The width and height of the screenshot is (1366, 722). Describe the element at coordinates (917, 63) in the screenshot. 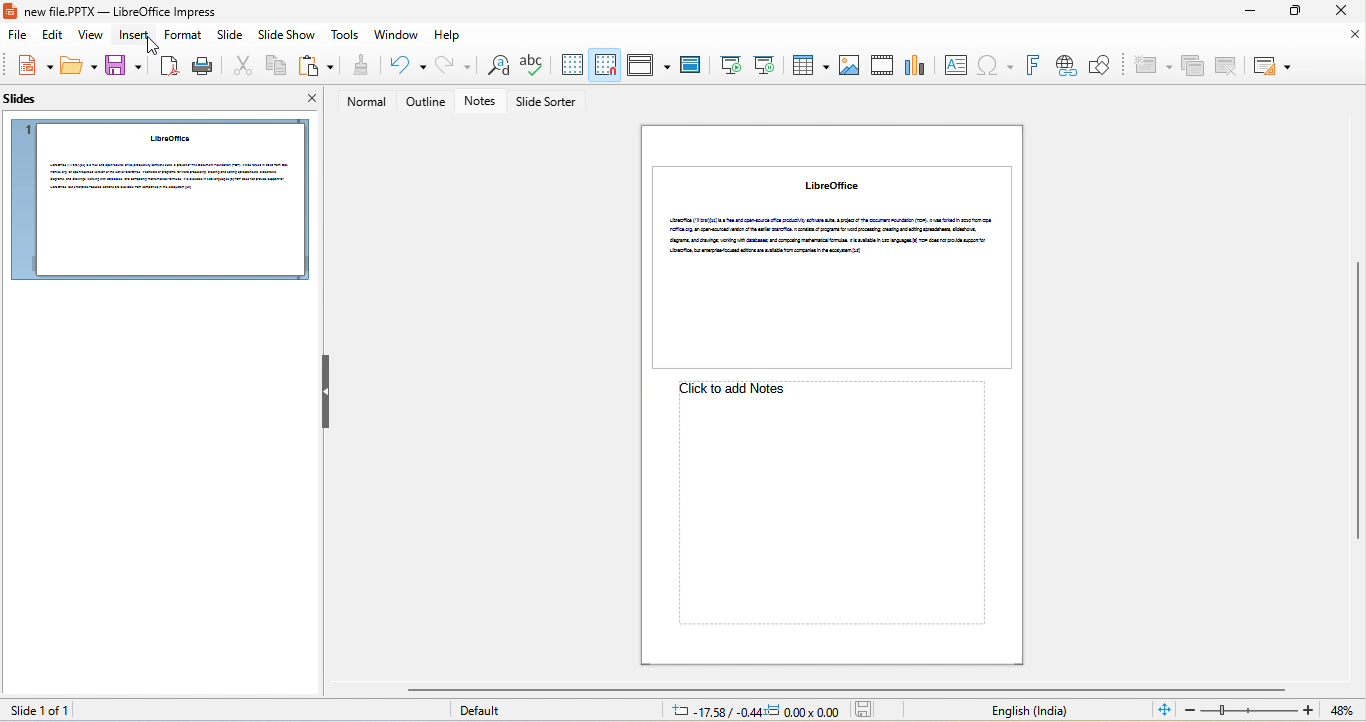

I see `chart` at that location.